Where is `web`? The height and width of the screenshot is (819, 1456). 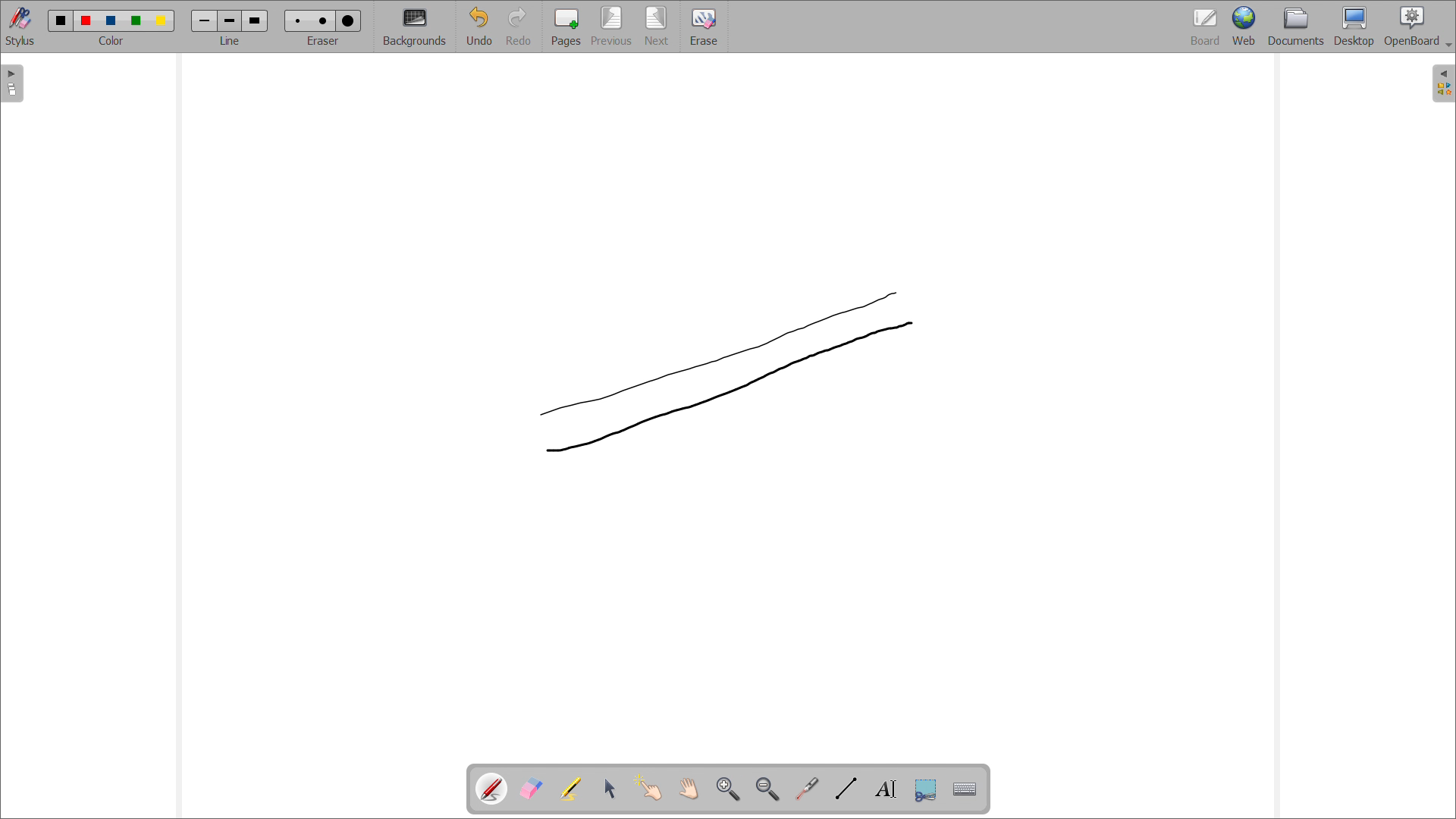
web is located at coordinates (1244, 27).